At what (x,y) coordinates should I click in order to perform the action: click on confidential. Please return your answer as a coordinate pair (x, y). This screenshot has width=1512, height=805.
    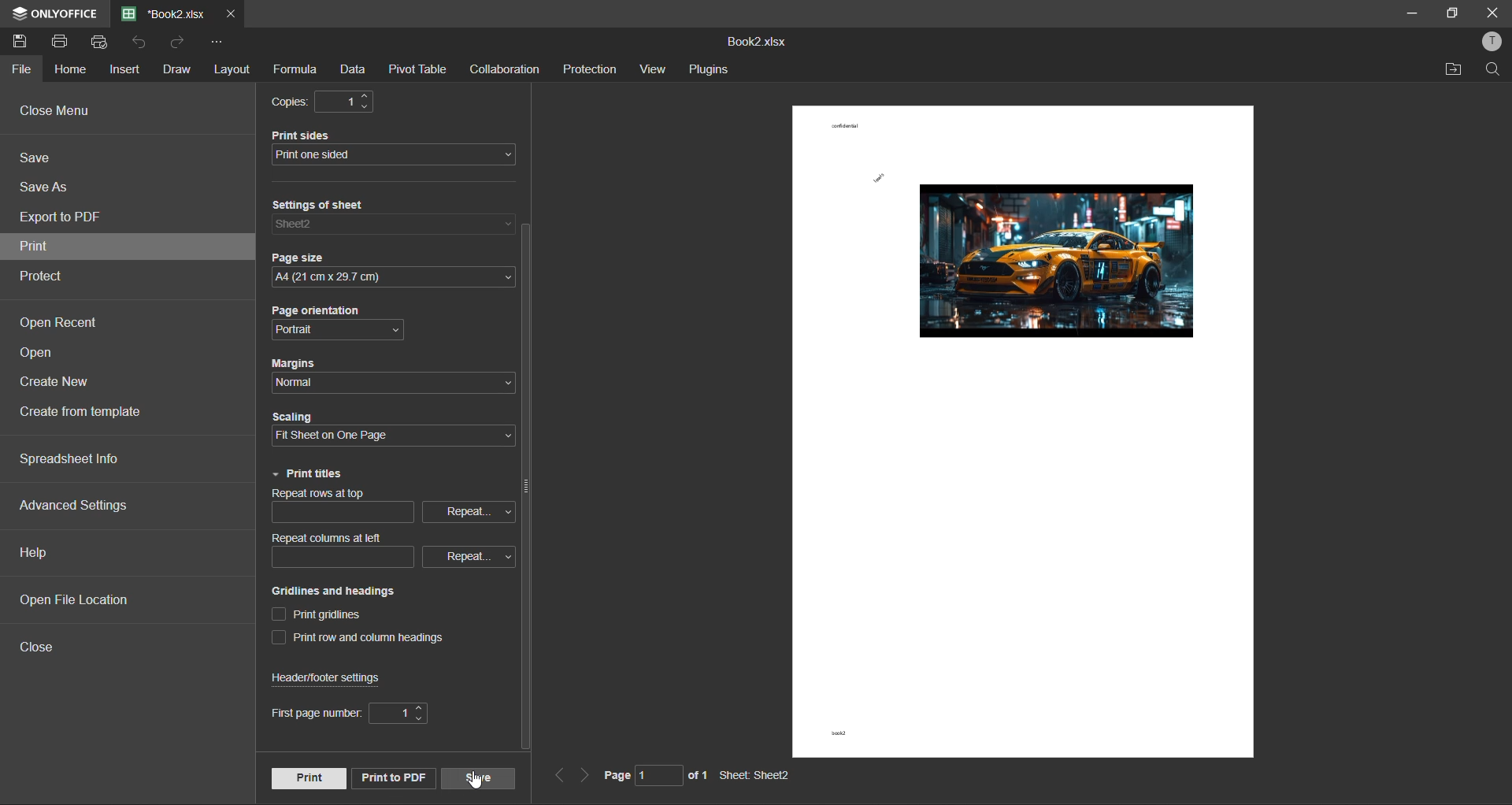
    Looking at the image, I should click on (843, 125).